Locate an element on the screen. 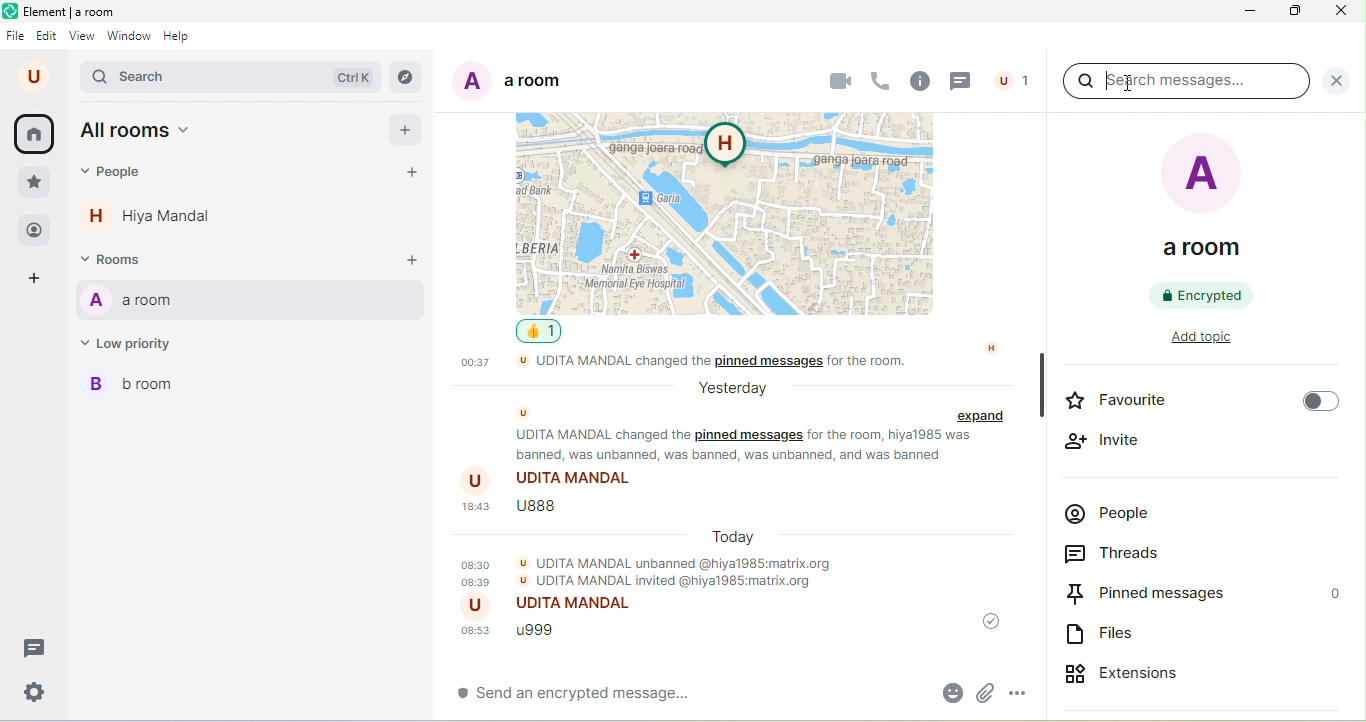 The width and height of the screenshot is (1366, 722). threads is located at coordinates (31, 647).